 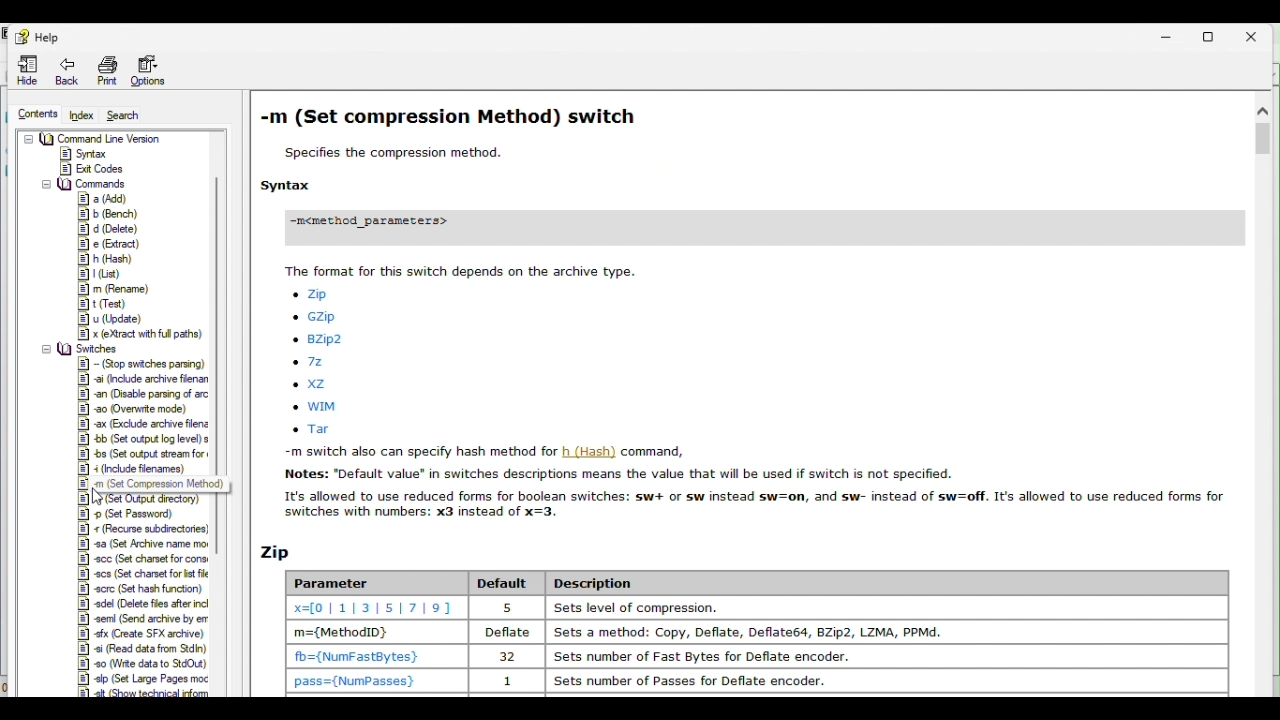 What do you see at coordinates (319, 407) in the screenshot?
I see `wim` at bounding box center [319, 407].